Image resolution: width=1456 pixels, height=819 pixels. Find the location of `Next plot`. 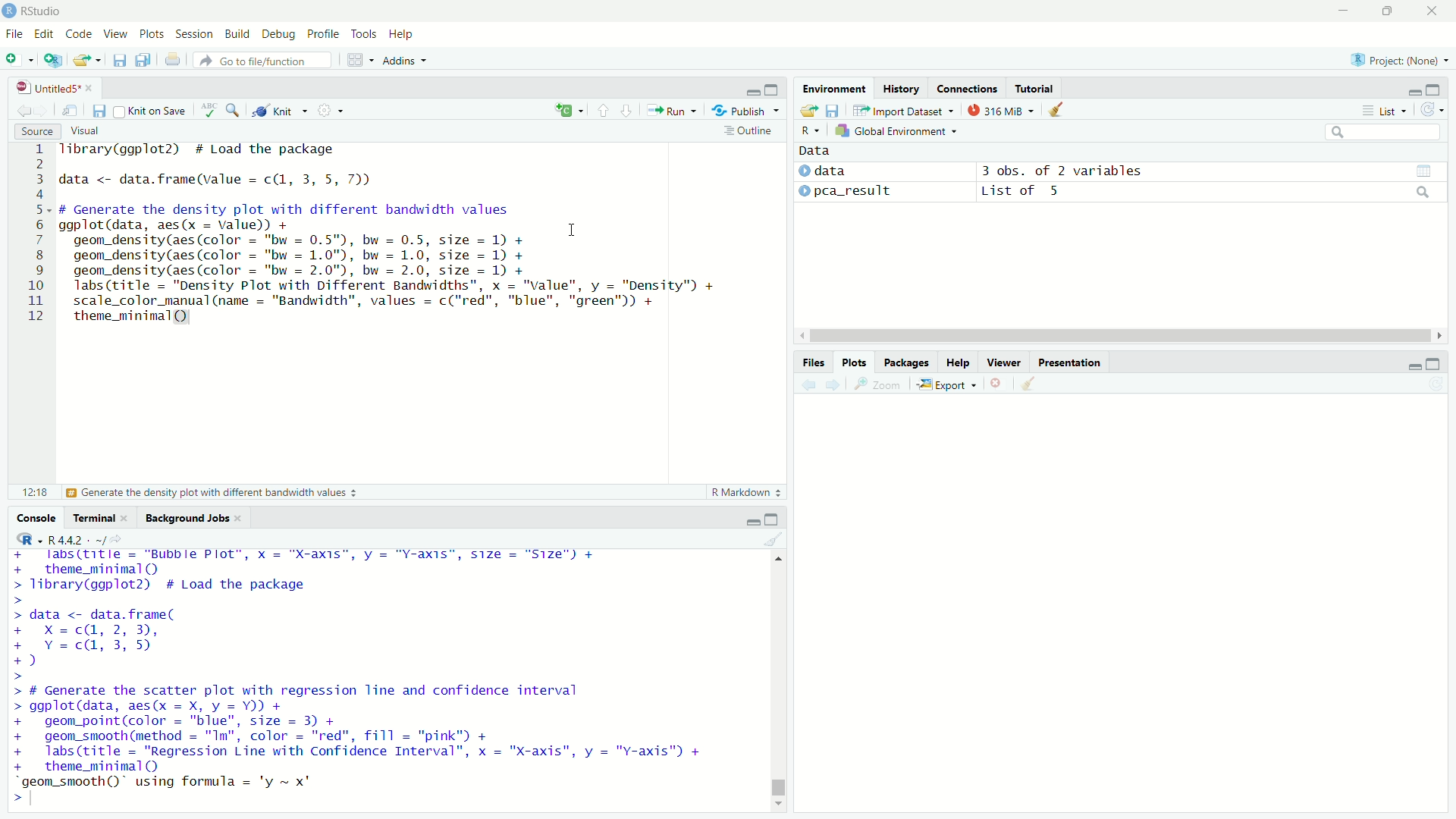

Next plot is located at coordinates (832, 384).